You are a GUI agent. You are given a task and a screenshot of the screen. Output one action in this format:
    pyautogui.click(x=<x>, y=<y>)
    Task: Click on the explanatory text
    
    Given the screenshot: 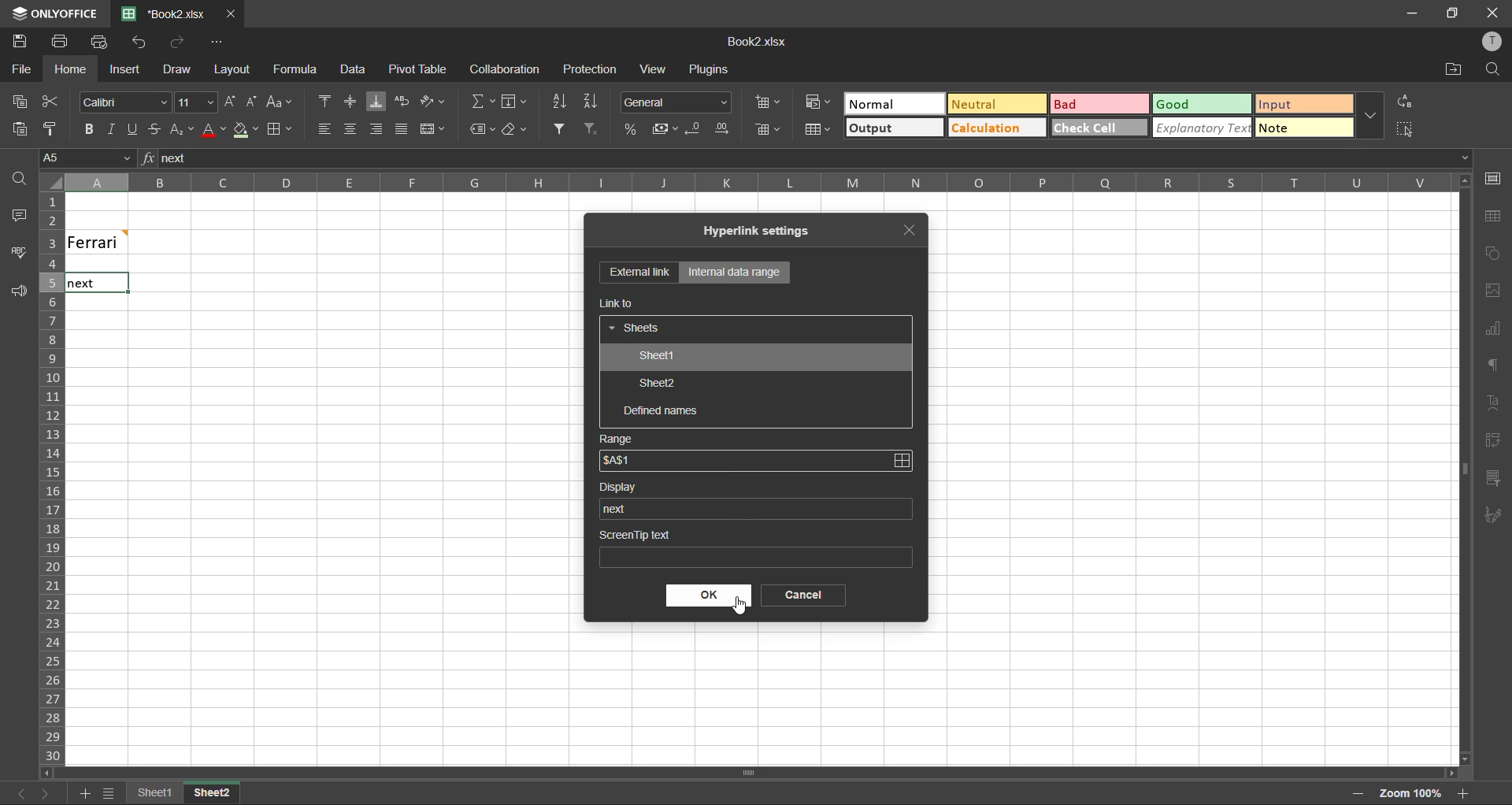 What is the action you would take?
    pyautogui.click(x=1200, y=129)
    